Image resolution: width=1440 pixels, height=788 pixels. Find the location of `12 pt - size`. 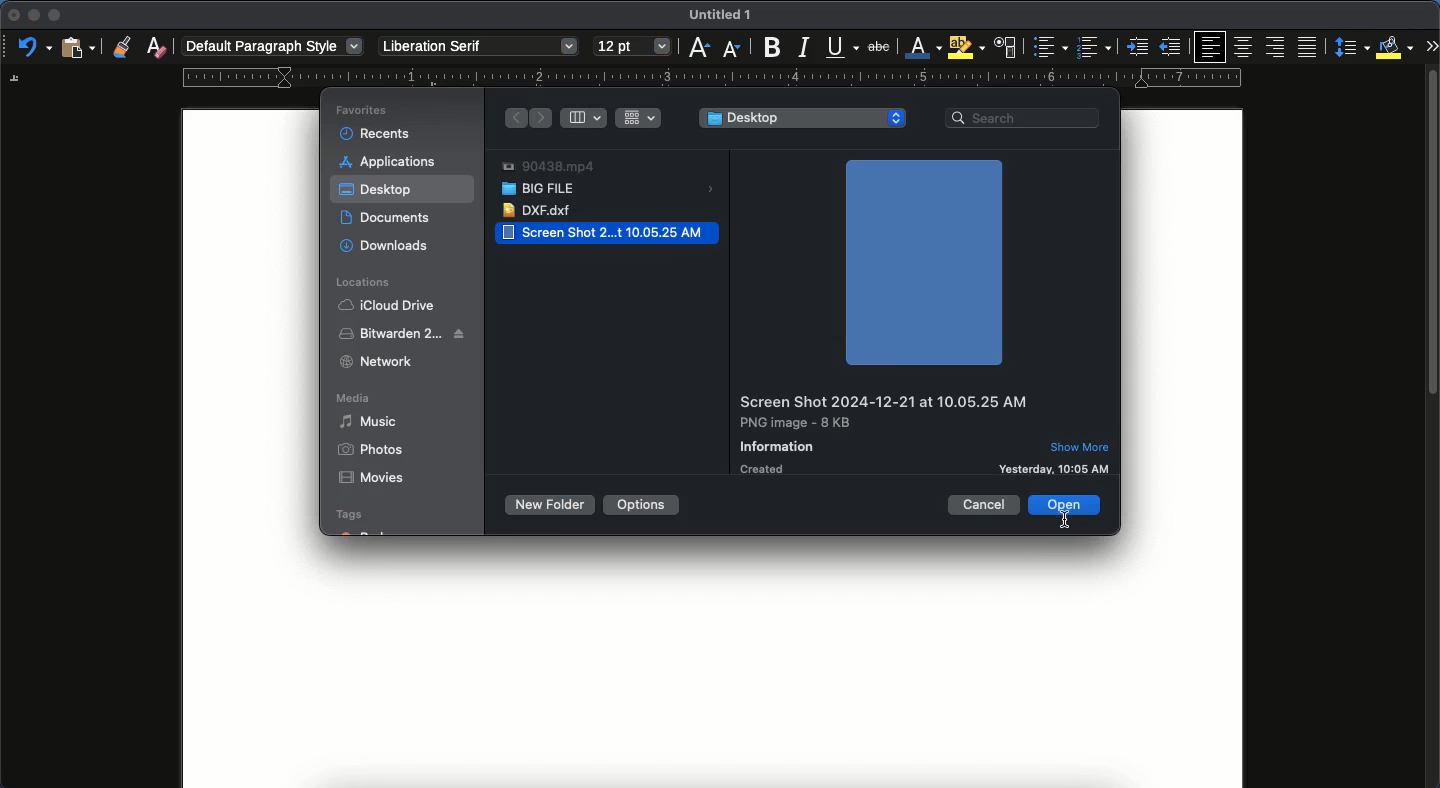

12 pt - size is located at coordinates (631, 47).